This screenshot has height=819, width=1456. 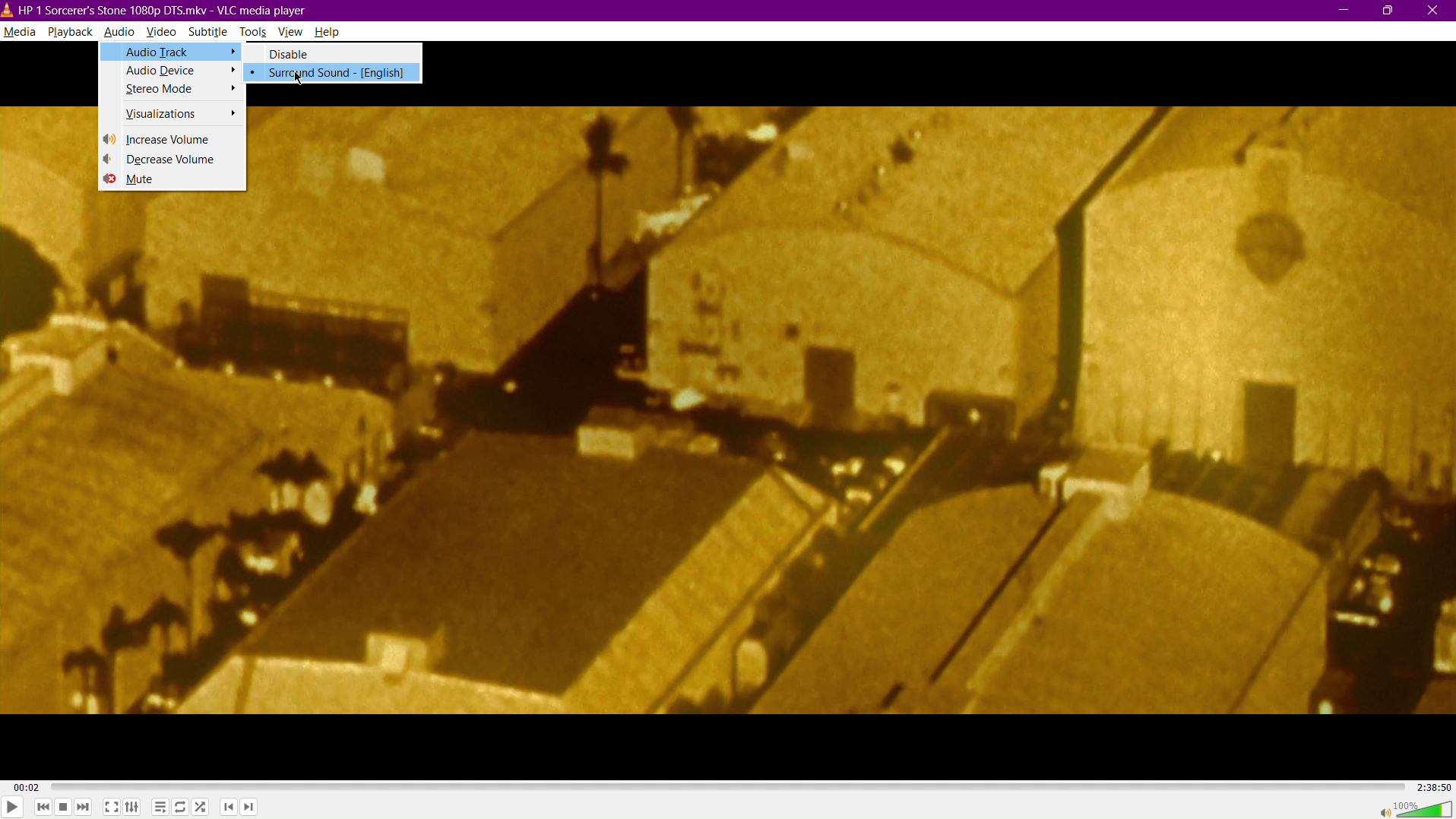 I want to click on Playback, so click(x=70, y=32).